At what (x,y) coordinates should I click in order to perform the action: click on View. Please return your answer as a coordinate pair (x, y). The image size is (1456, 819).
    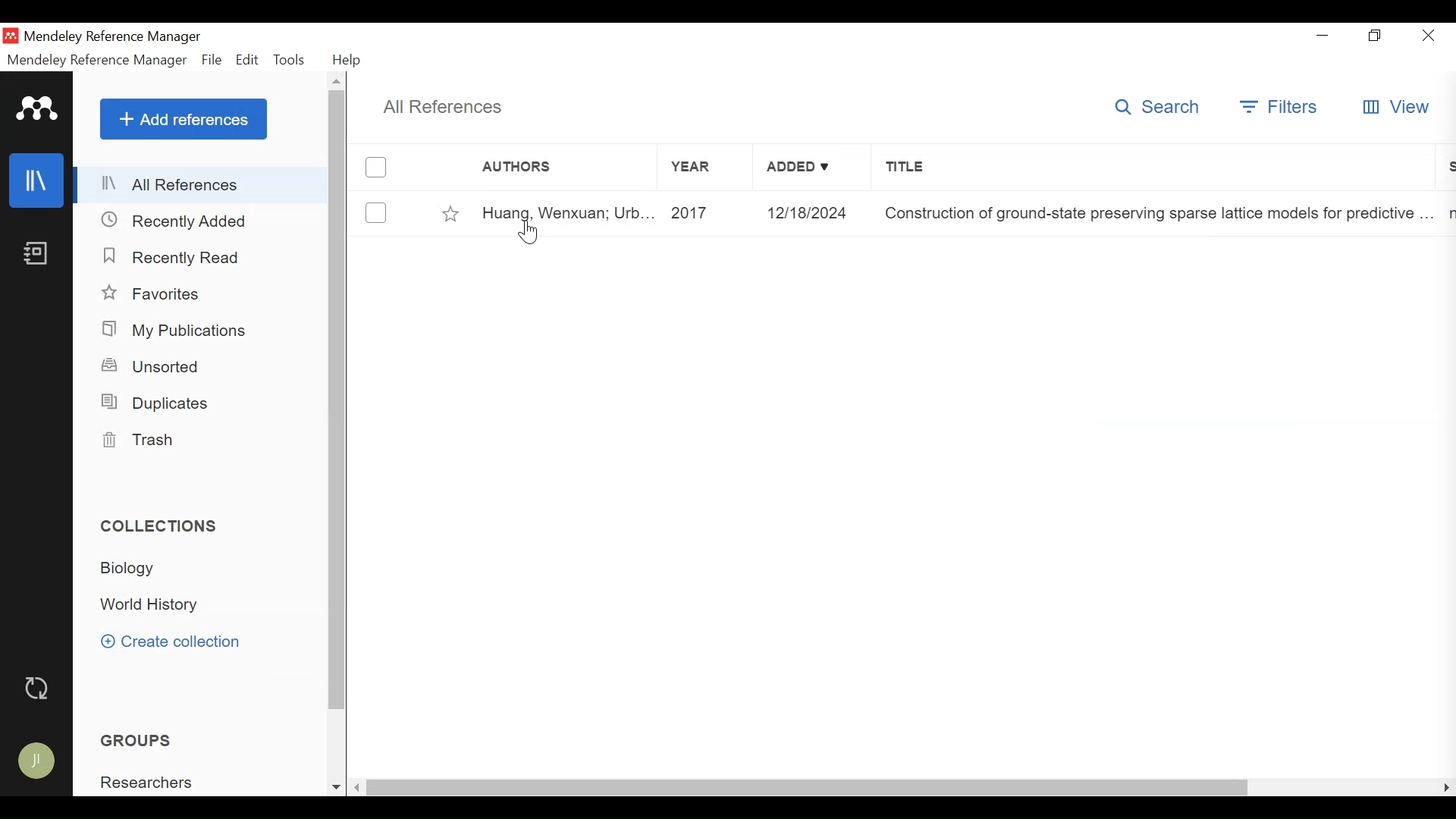
    Looking at the image, I should click on (1395, 106).